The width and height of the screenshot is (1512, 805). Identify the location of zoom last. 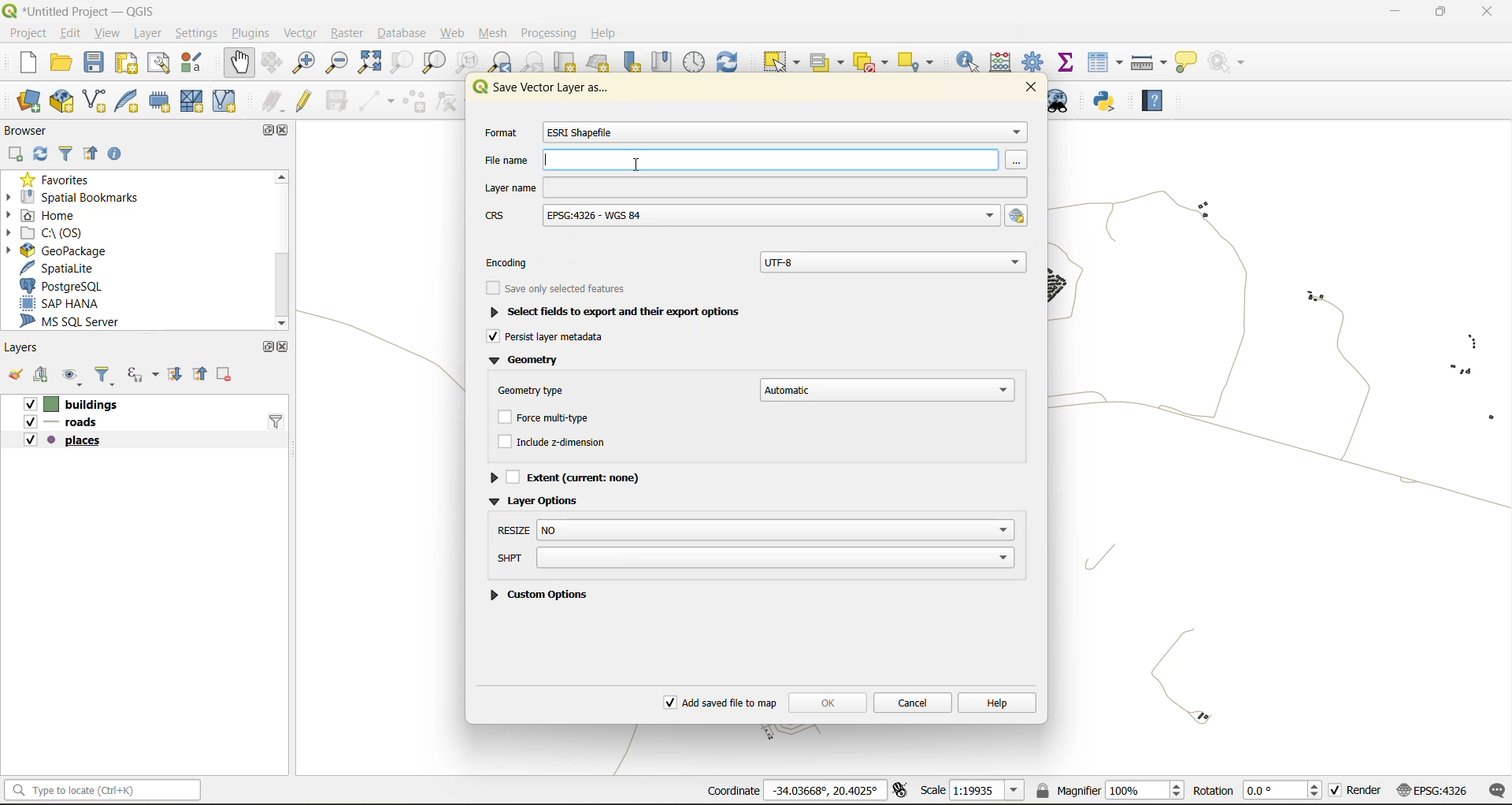
(500, 62).